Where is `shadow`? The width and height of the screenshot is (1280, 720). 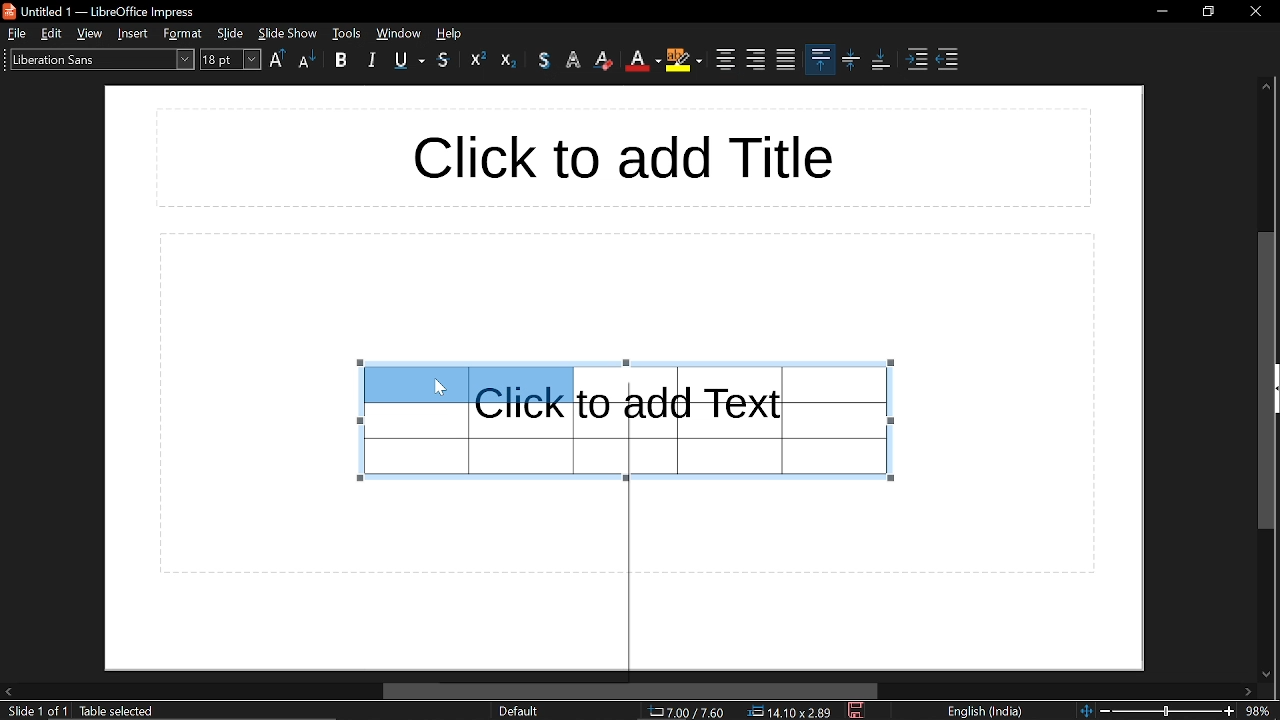
shadow is located at coordinates (544, 60).